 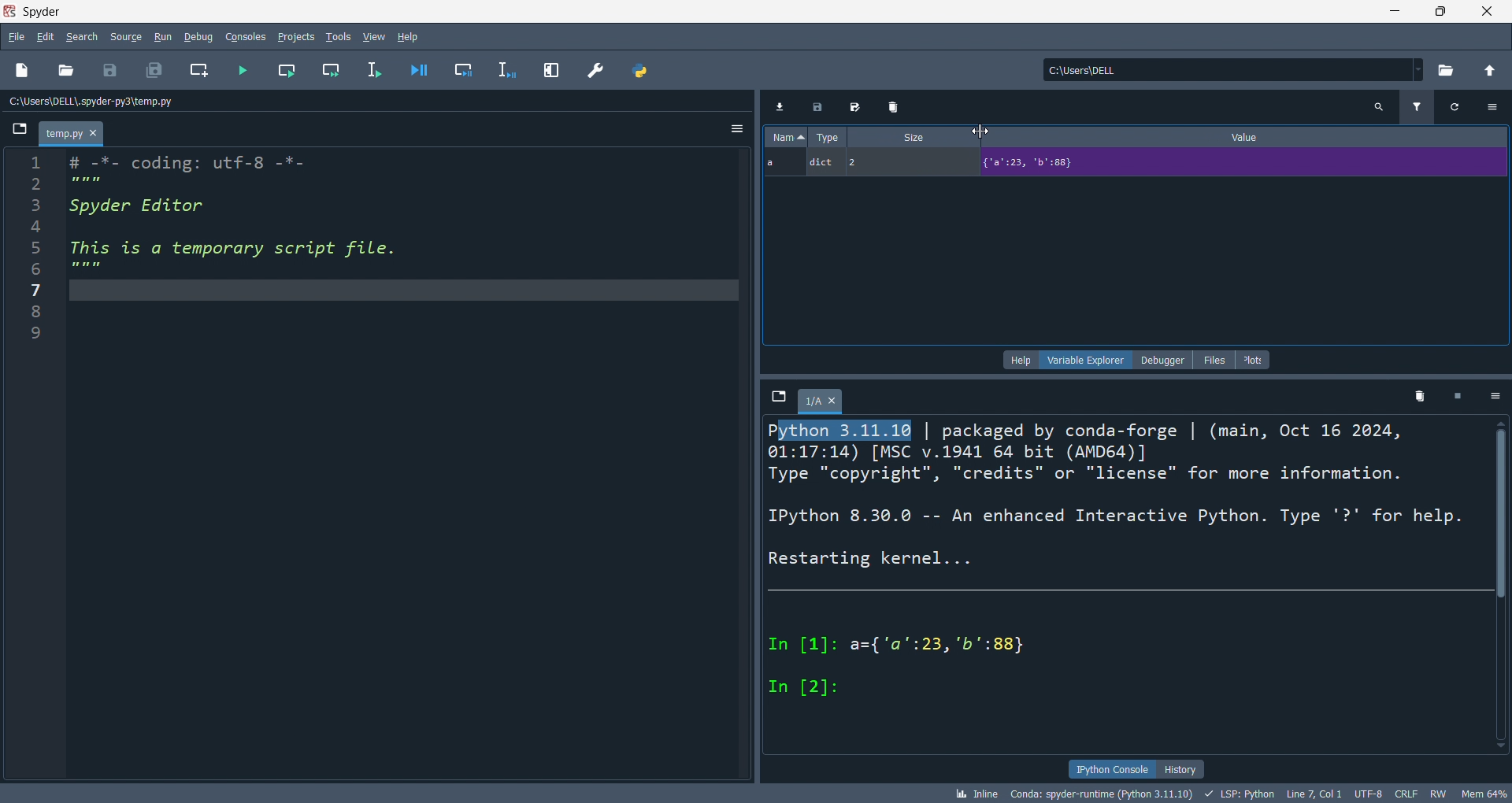 I want to click on save, so click(x=106, y=67).